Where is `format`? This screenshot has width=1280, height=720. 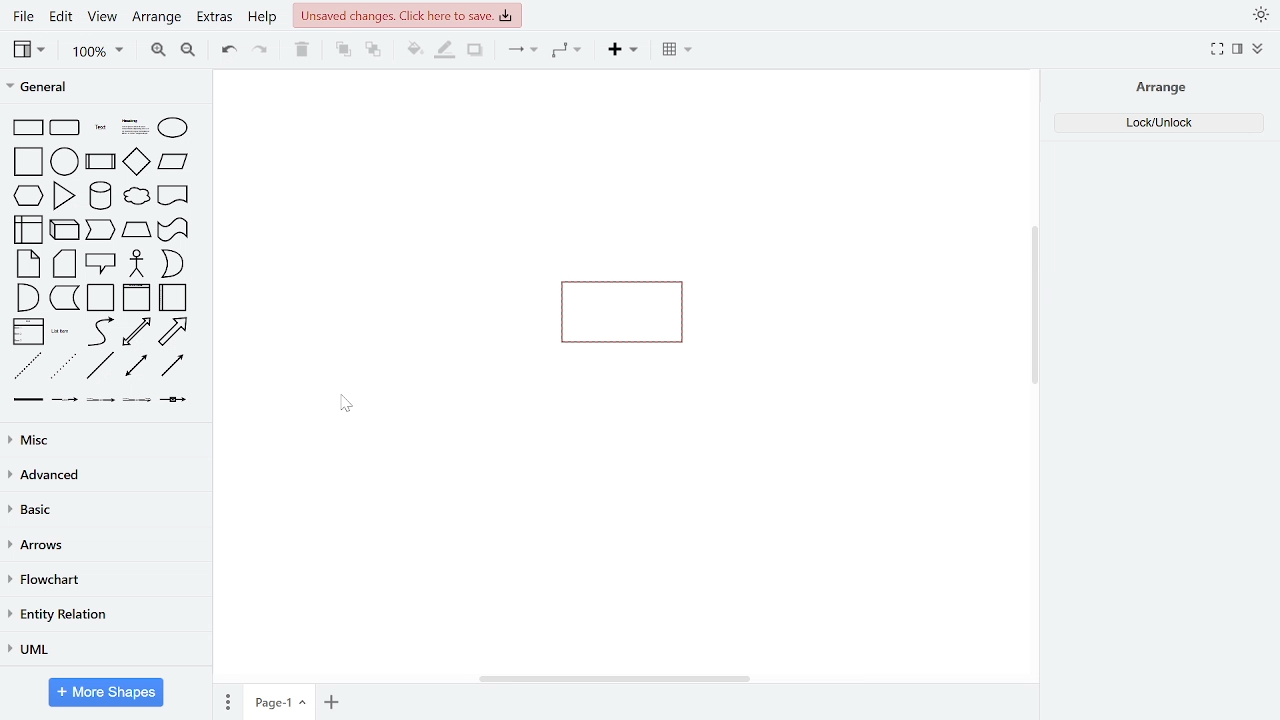 format is located at coordinates (1238, 49).